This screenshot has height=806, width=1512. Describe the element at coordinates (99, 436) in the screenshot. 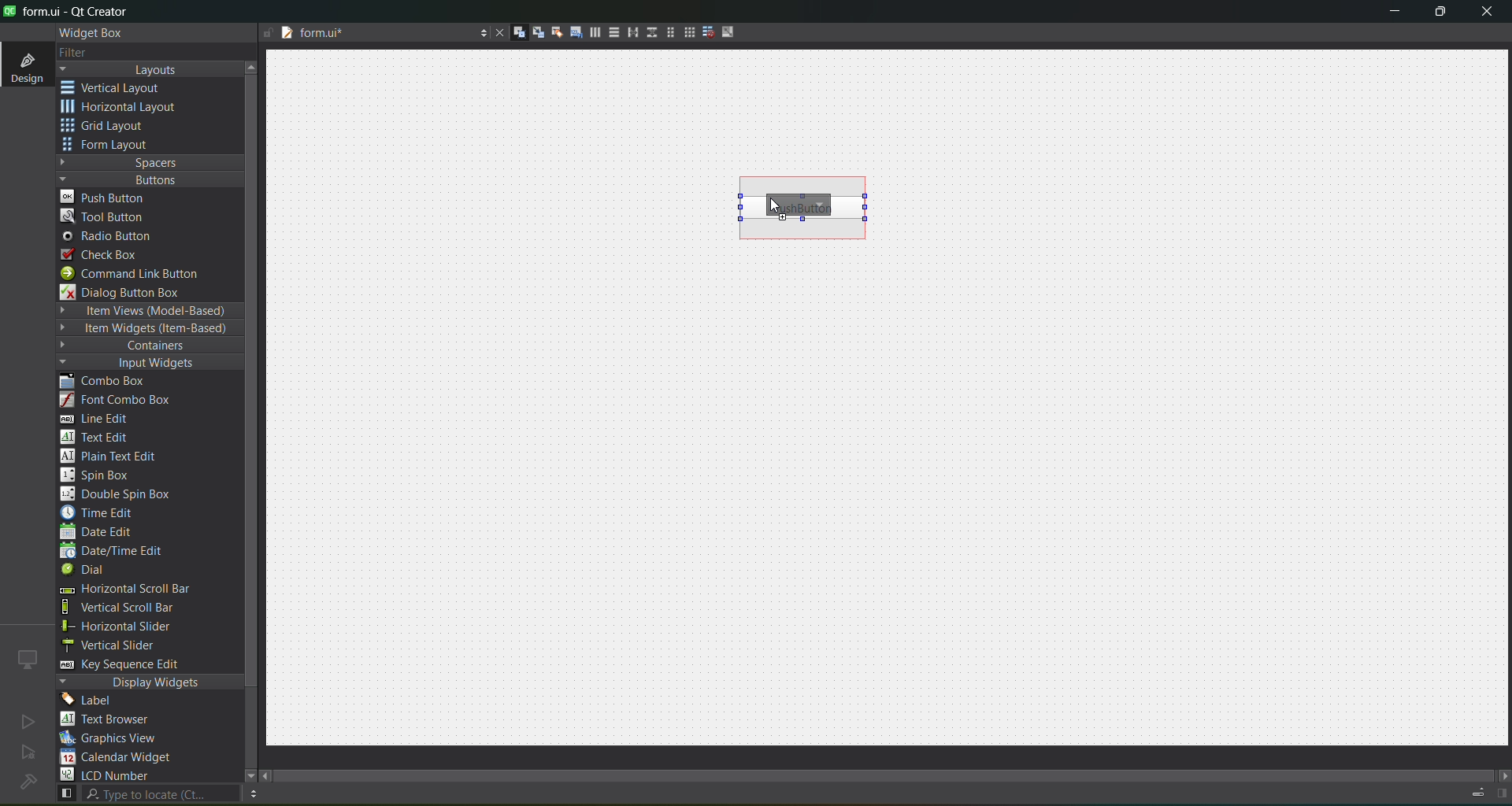

I see `text edit` at that location.